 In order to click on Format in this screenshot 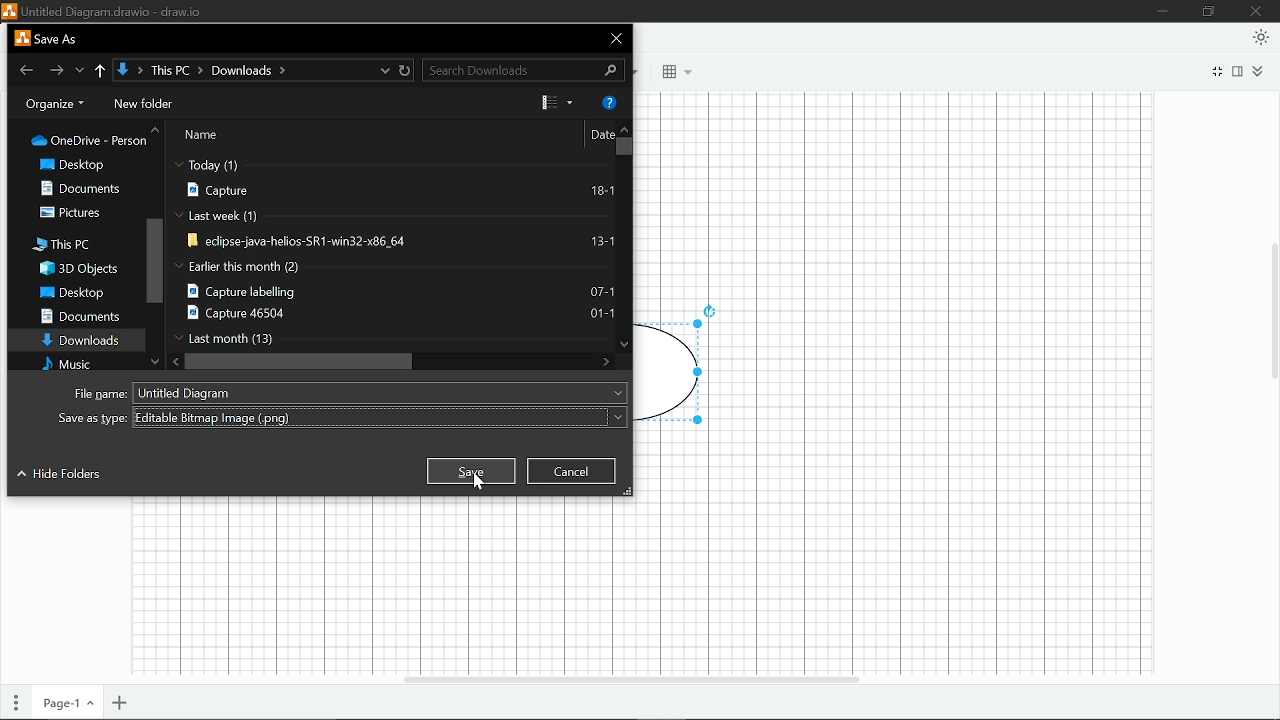, I will do `click(1240, 72)`.